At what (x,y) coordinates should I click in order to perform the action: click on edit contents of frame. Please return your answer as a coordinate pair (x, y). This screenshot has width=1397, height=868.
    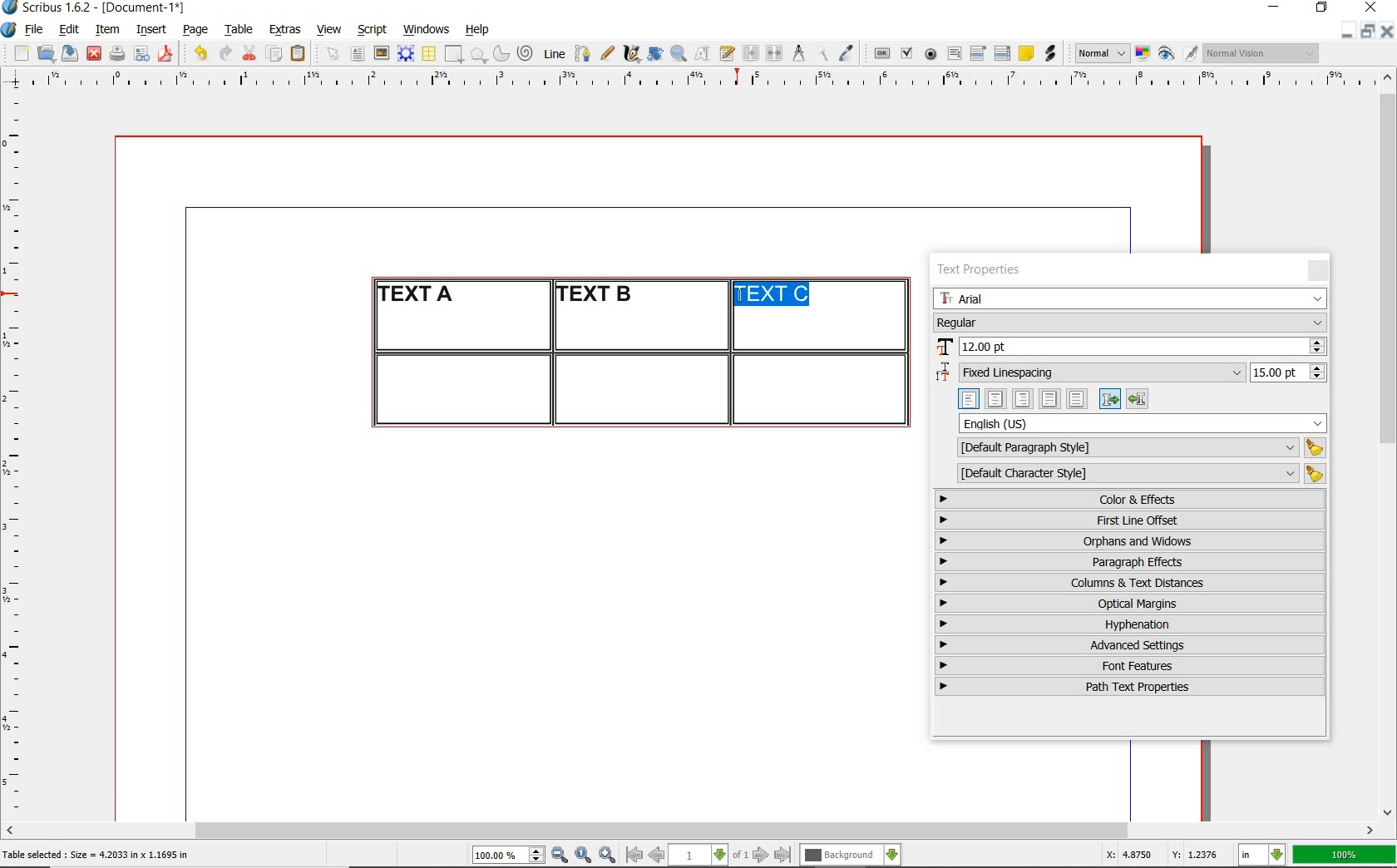
    Looking at the image, I should click on (703, 52).